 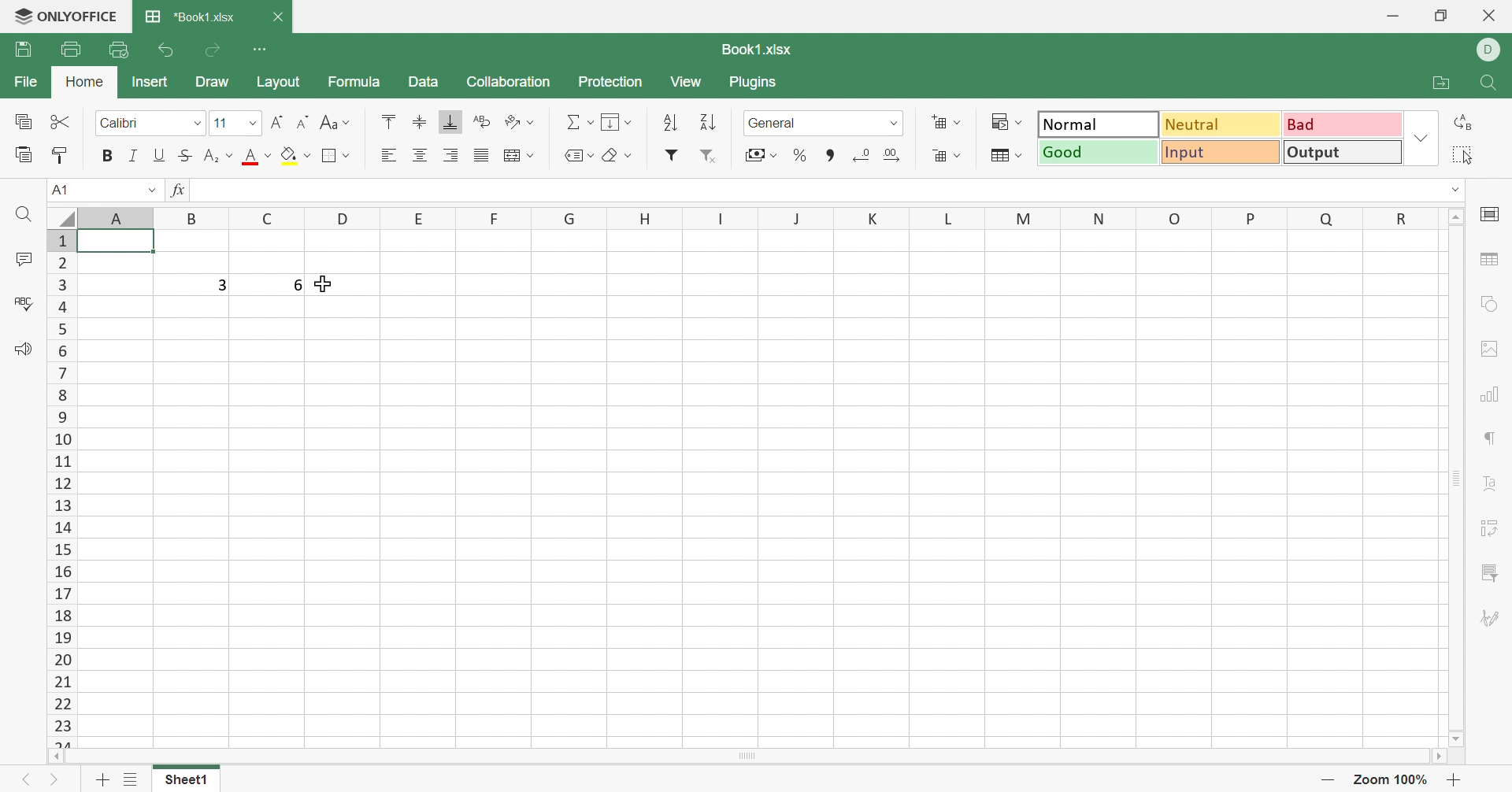 I want to click on Slicer settings, so click(x=1492, y=573).